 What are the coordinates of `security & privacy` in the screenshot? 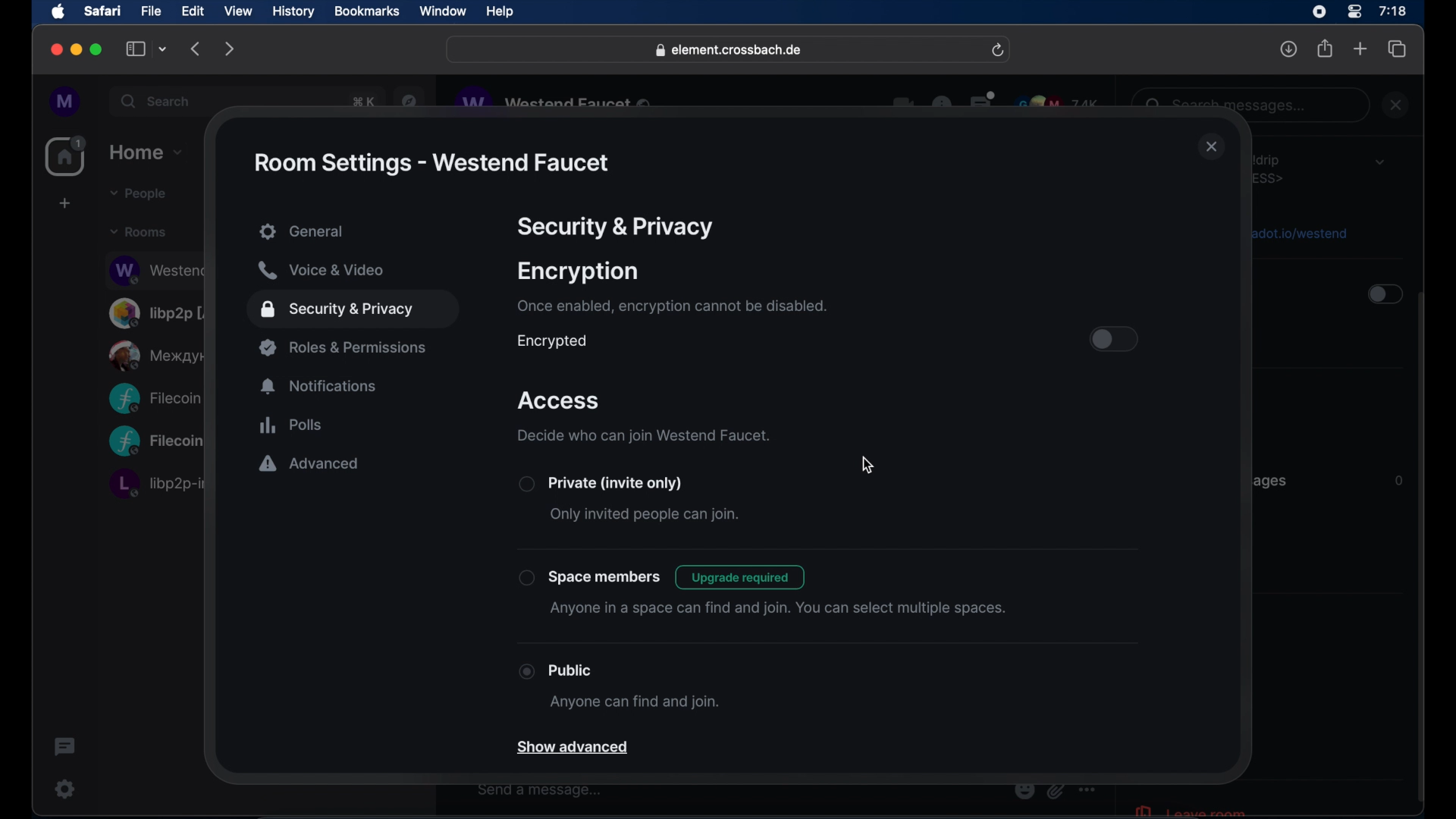 It's located at (615, 227).